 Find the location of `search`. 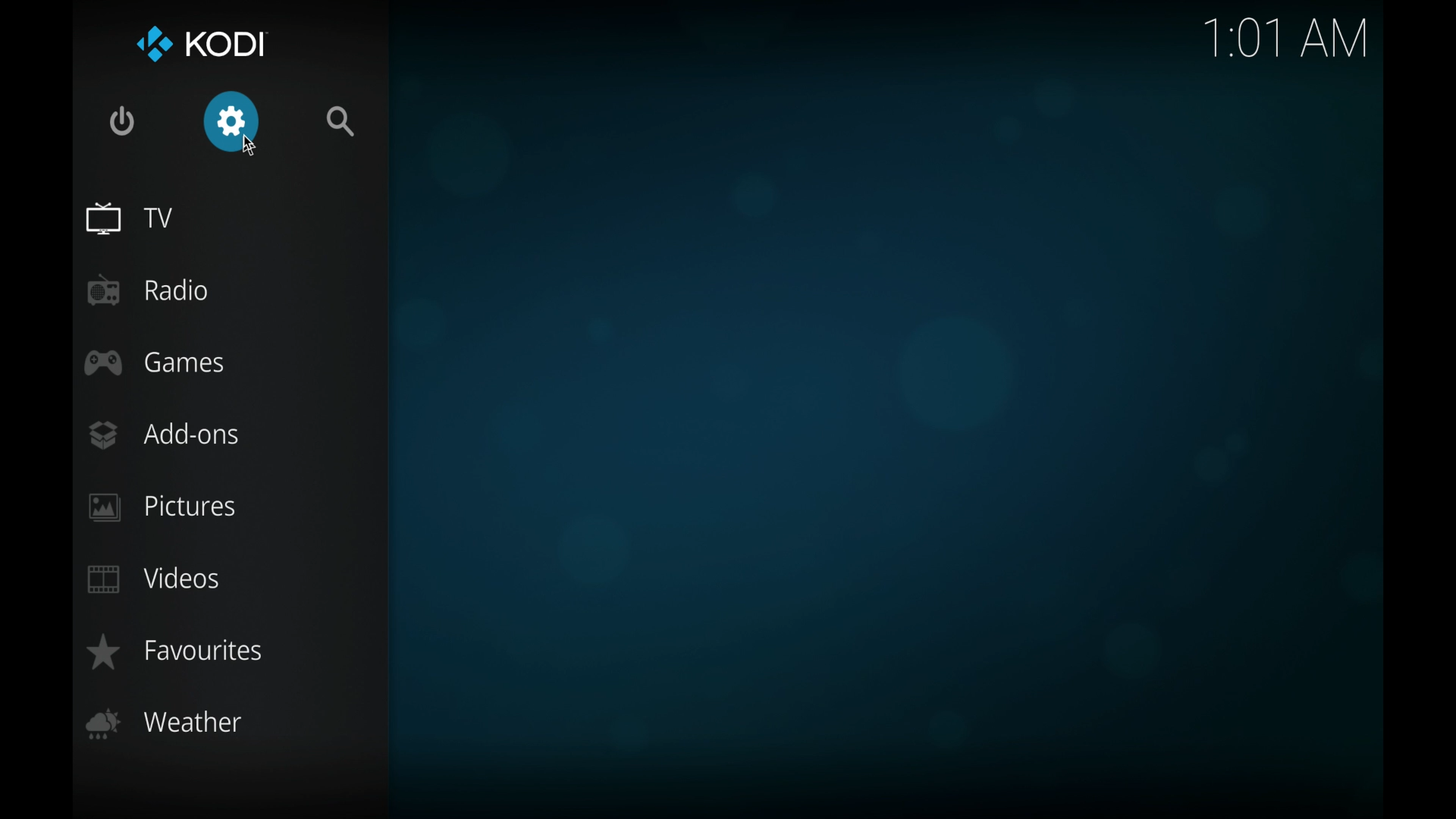

search is located at coordinates (341, 122).